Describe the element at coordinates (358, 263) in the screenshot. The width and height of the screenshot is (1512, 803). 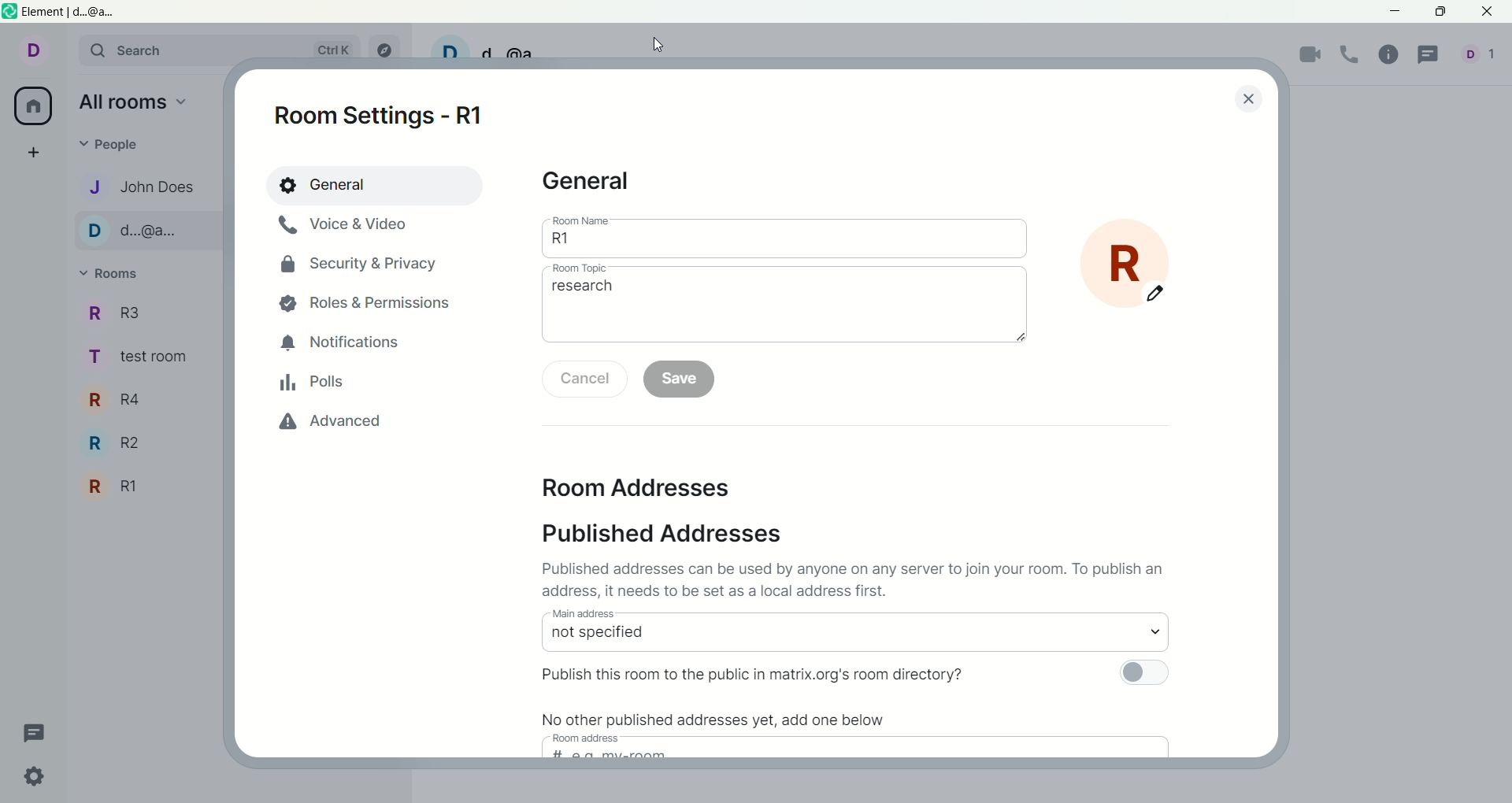
I see `security and privacy` at that location.